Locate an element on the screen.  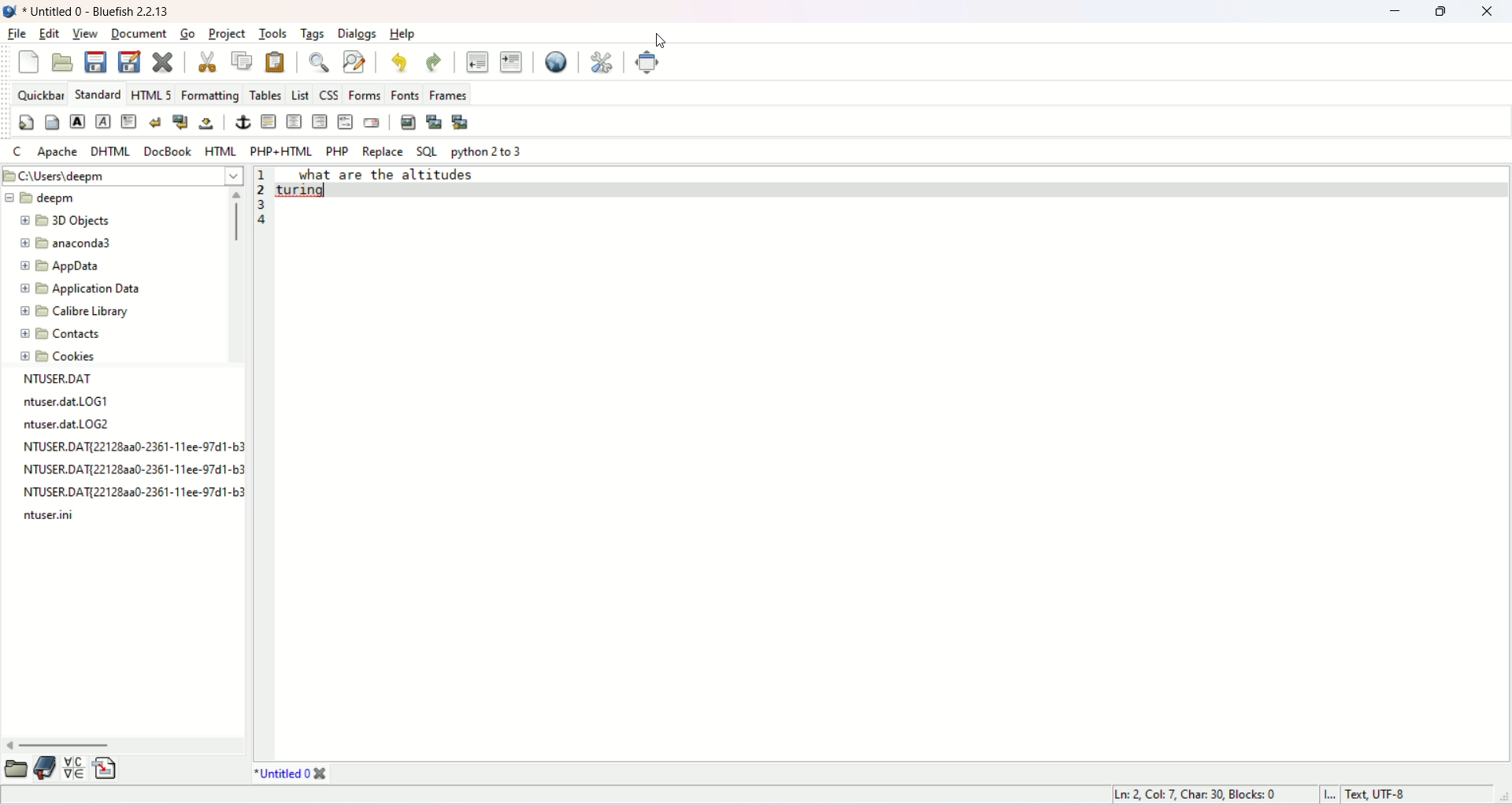
contacts is located at coordinates (61, 334).